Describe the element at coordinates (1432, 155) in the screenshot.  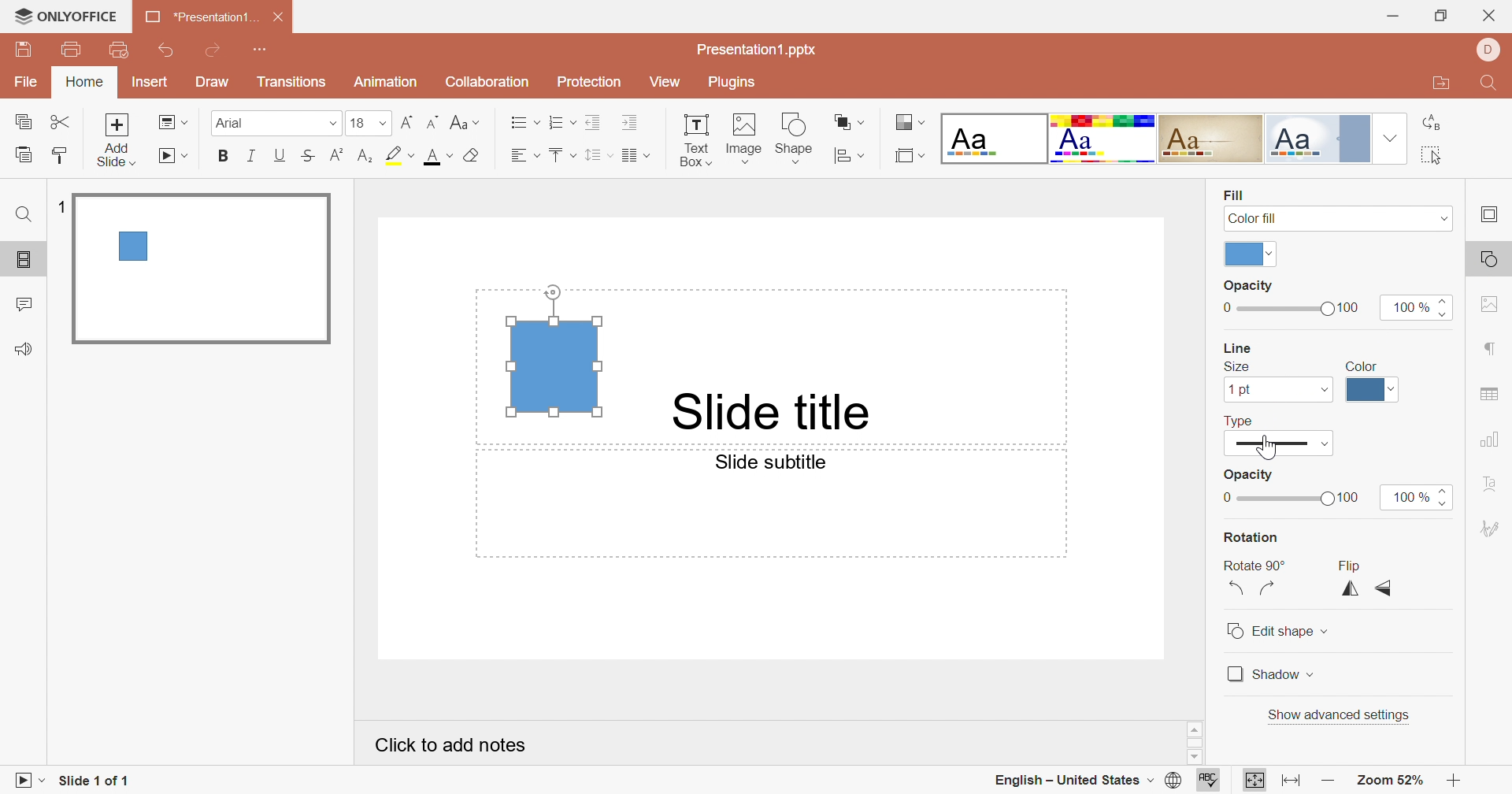
I see `Select All` at that location.